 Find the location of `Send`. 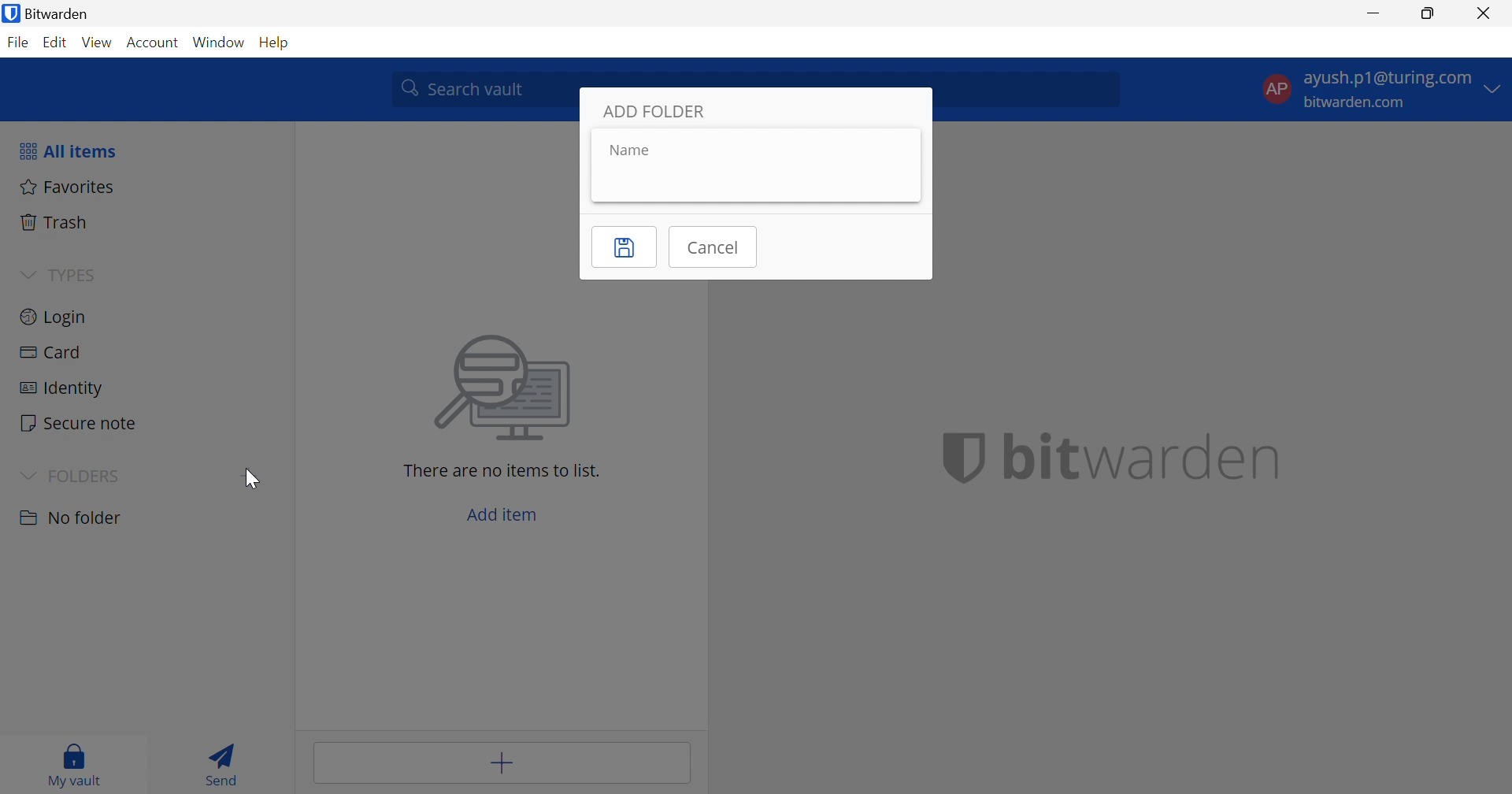

Send is located at coordinates (223, 764).